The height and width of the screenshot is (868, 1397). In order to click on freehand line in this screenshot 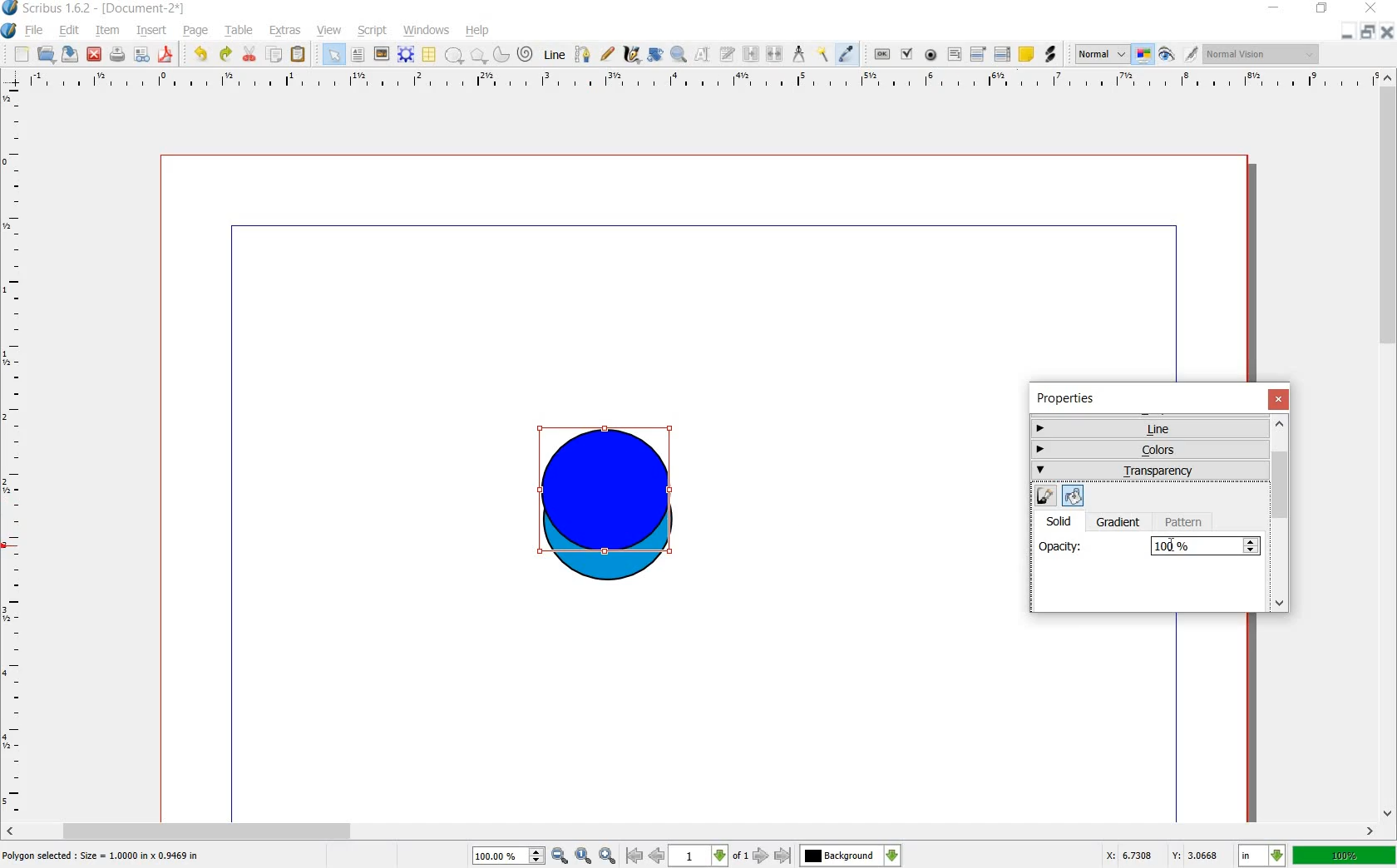, I will do `click(609, 54)`.